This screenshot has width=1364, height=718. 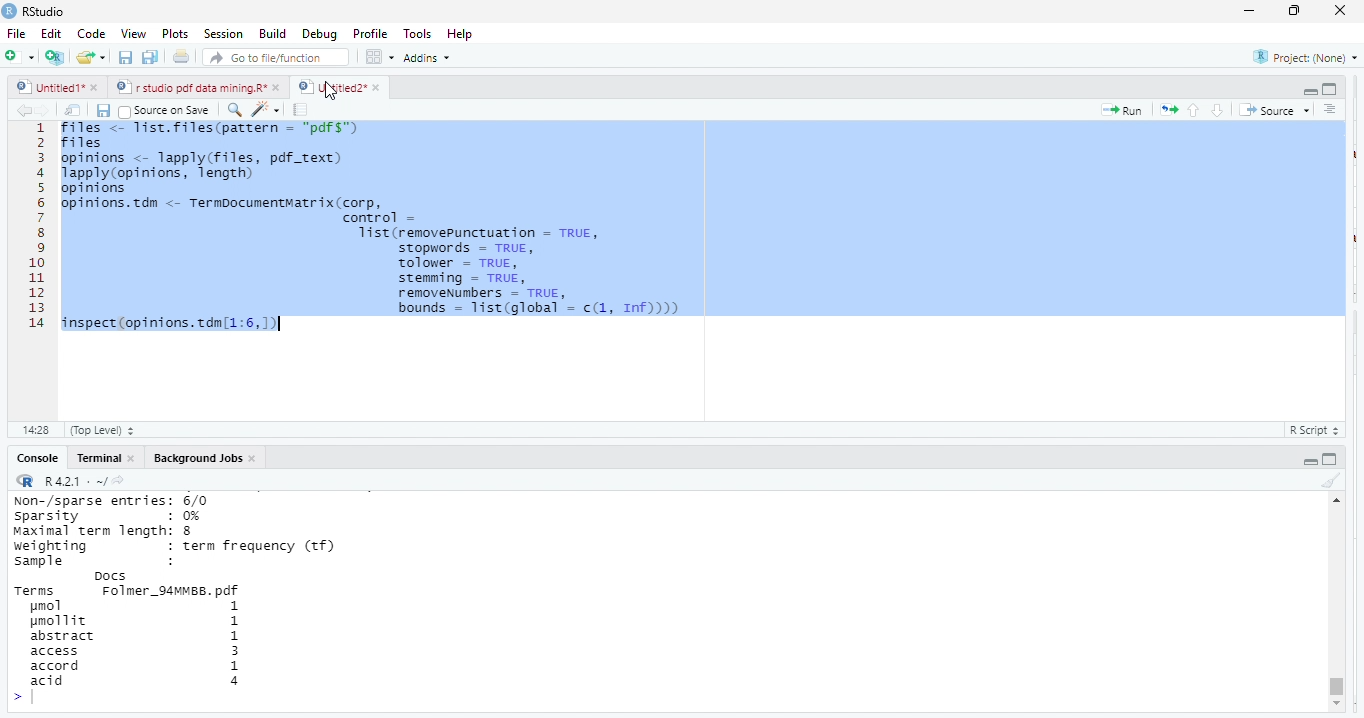 I want to click on code, so click(x=89, y=34).